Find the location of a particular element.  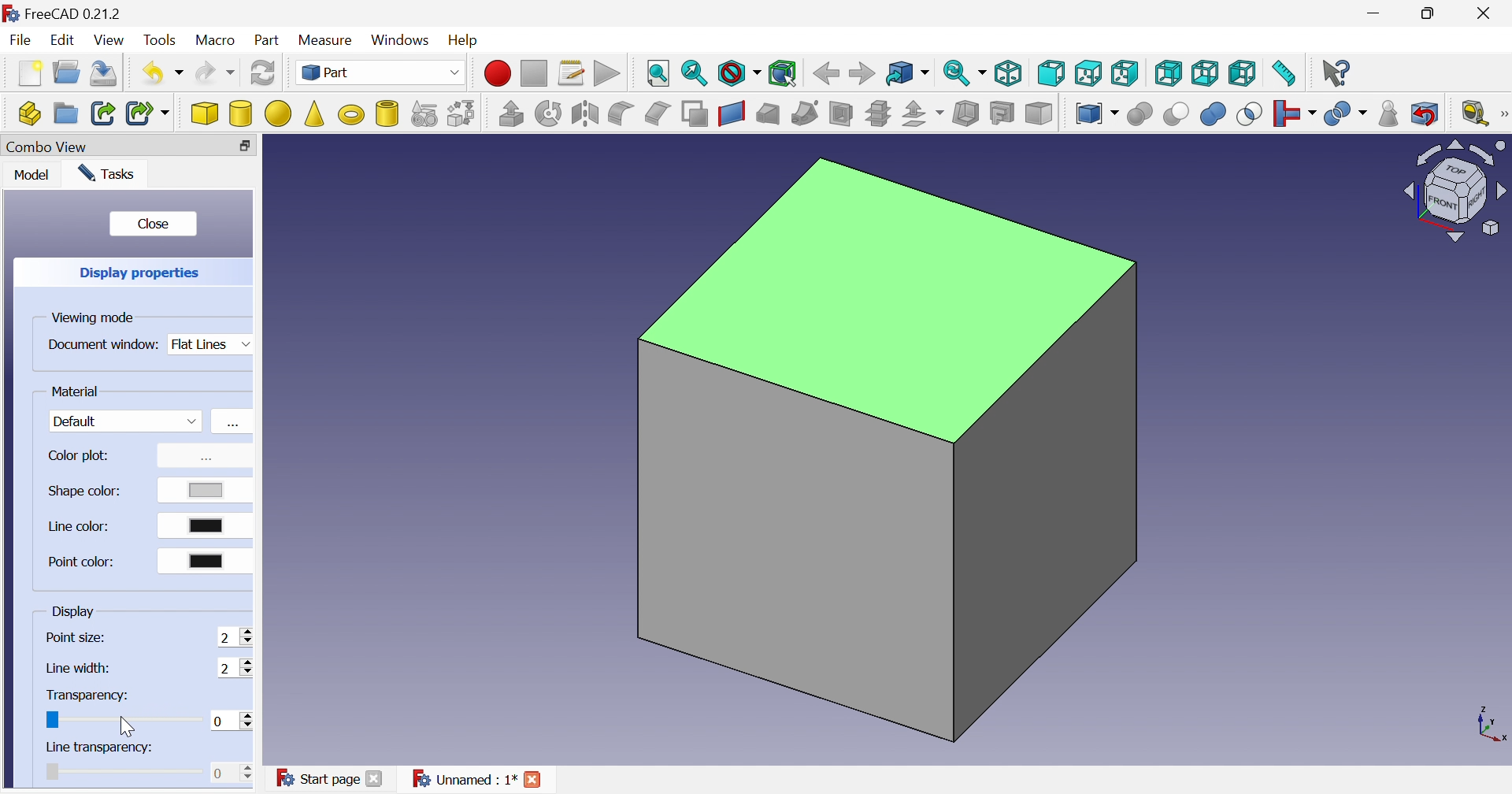

Cross-sections is located at coordinates (879, 113).